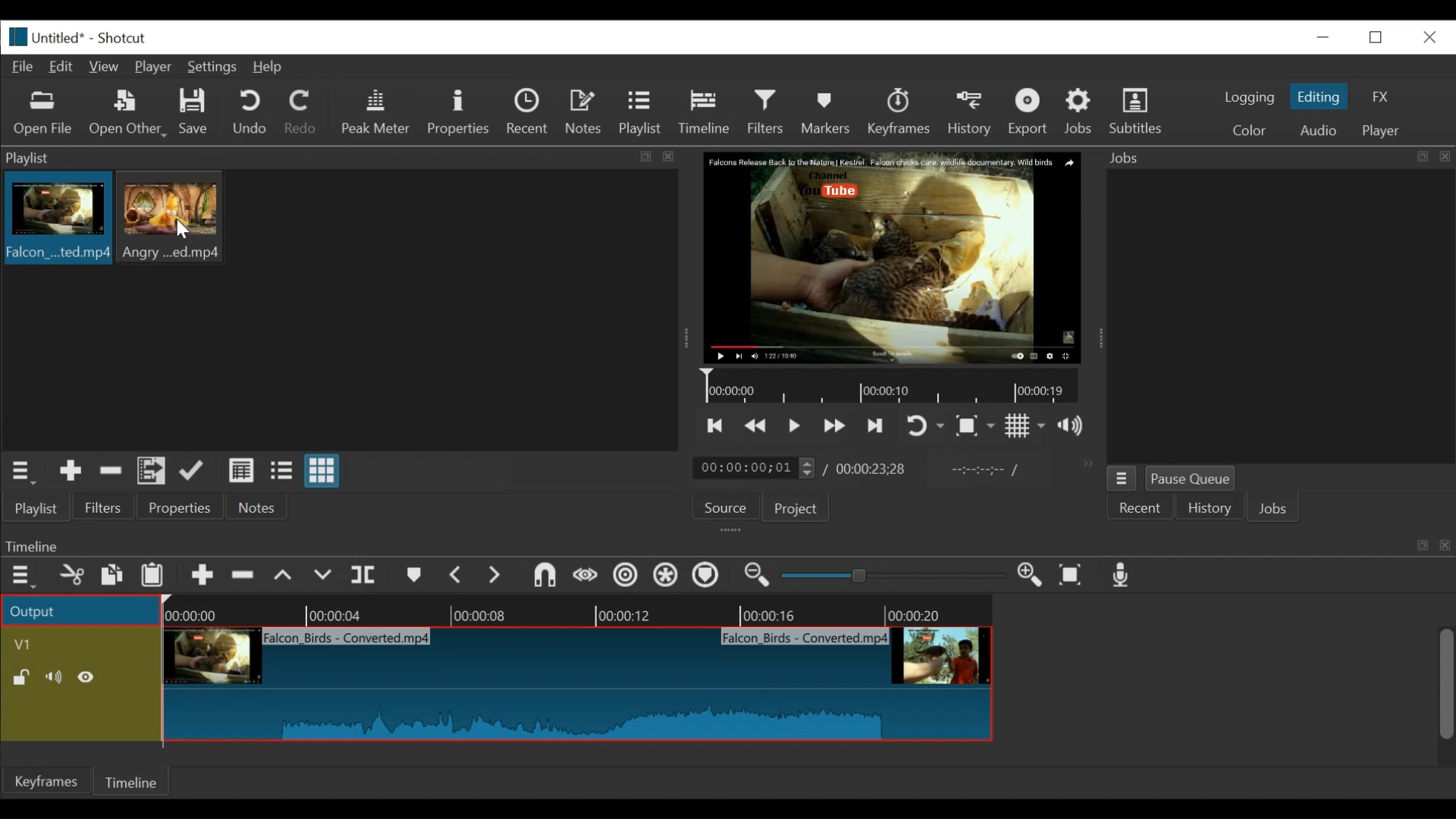  I want to click on Project, so click(793, 510).